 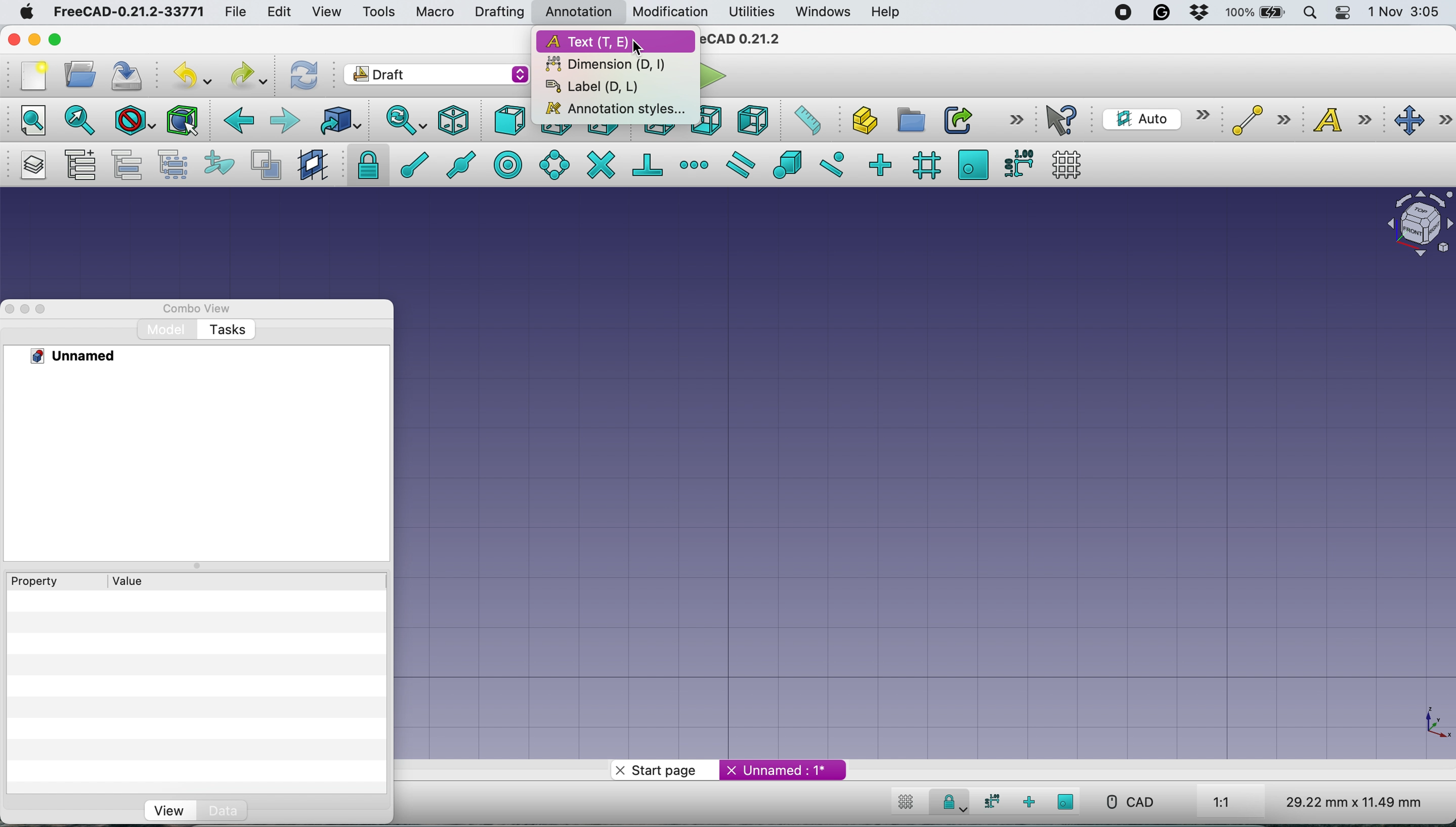 I want to click on dropbox, so click(x=1200, y=14).